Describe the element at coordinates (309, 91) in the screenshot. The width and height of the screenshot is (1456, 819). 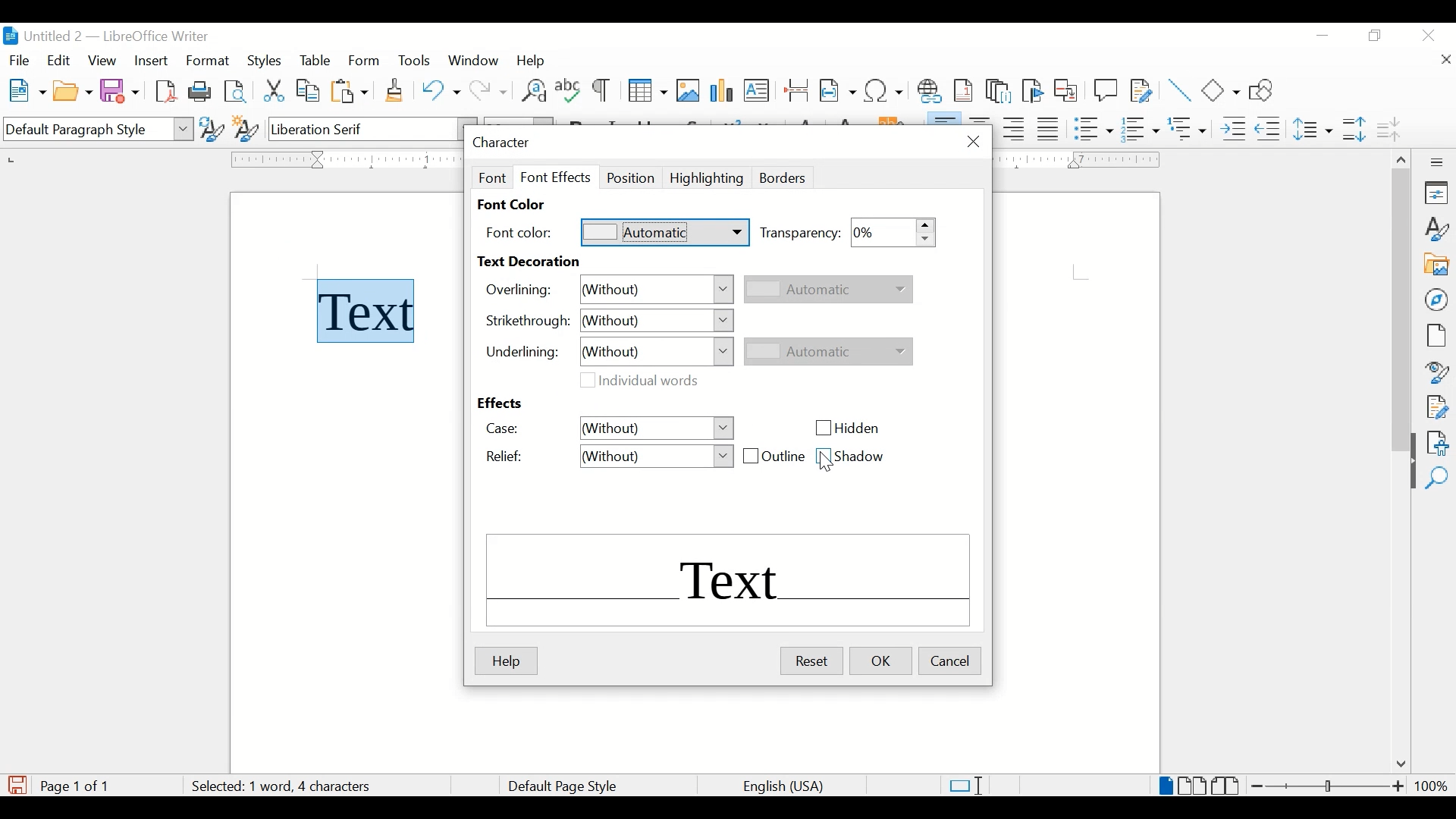
I see `copy` at that location.